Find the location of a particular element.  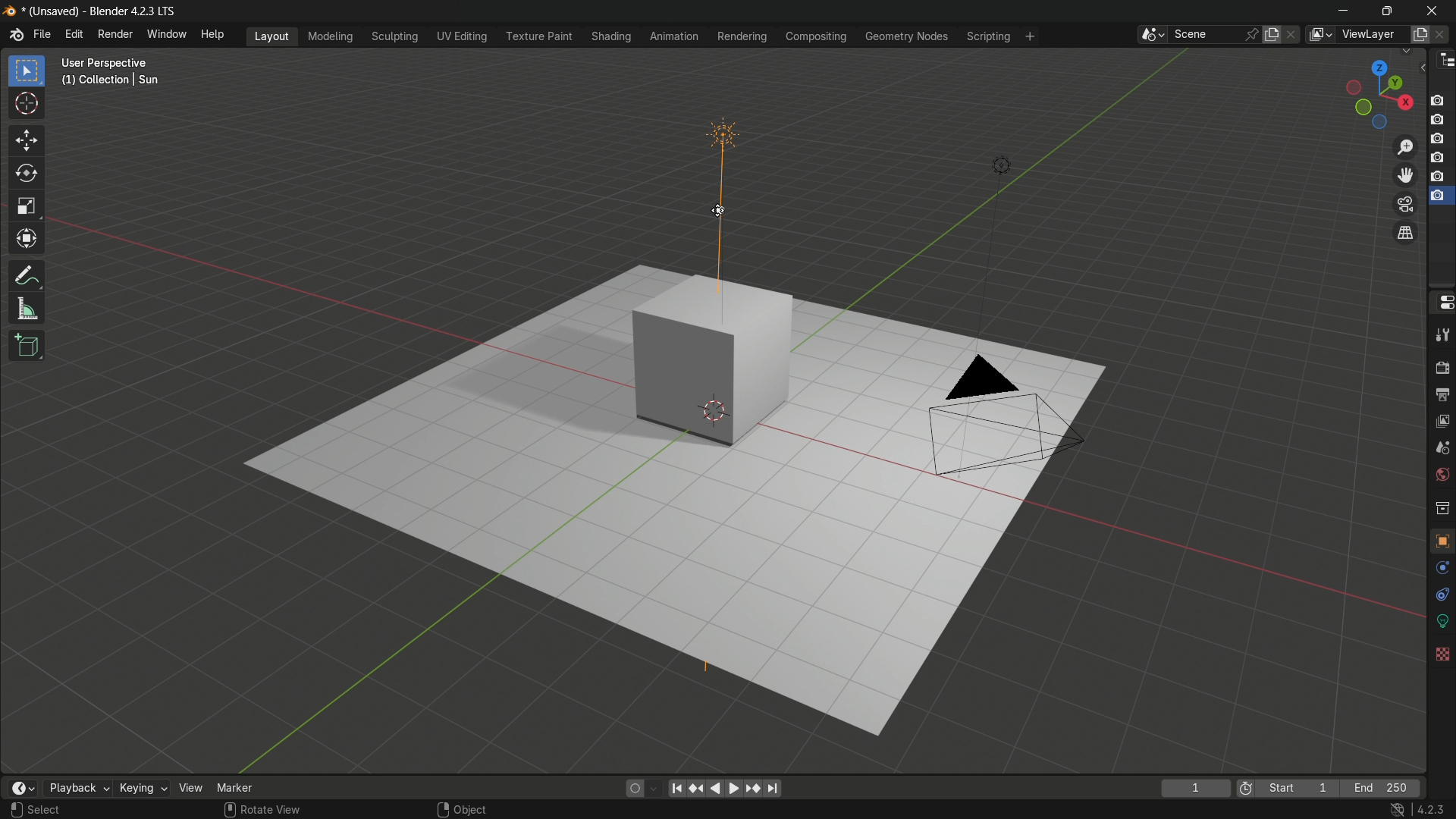

texture paint is located at coordinates (535, 36).